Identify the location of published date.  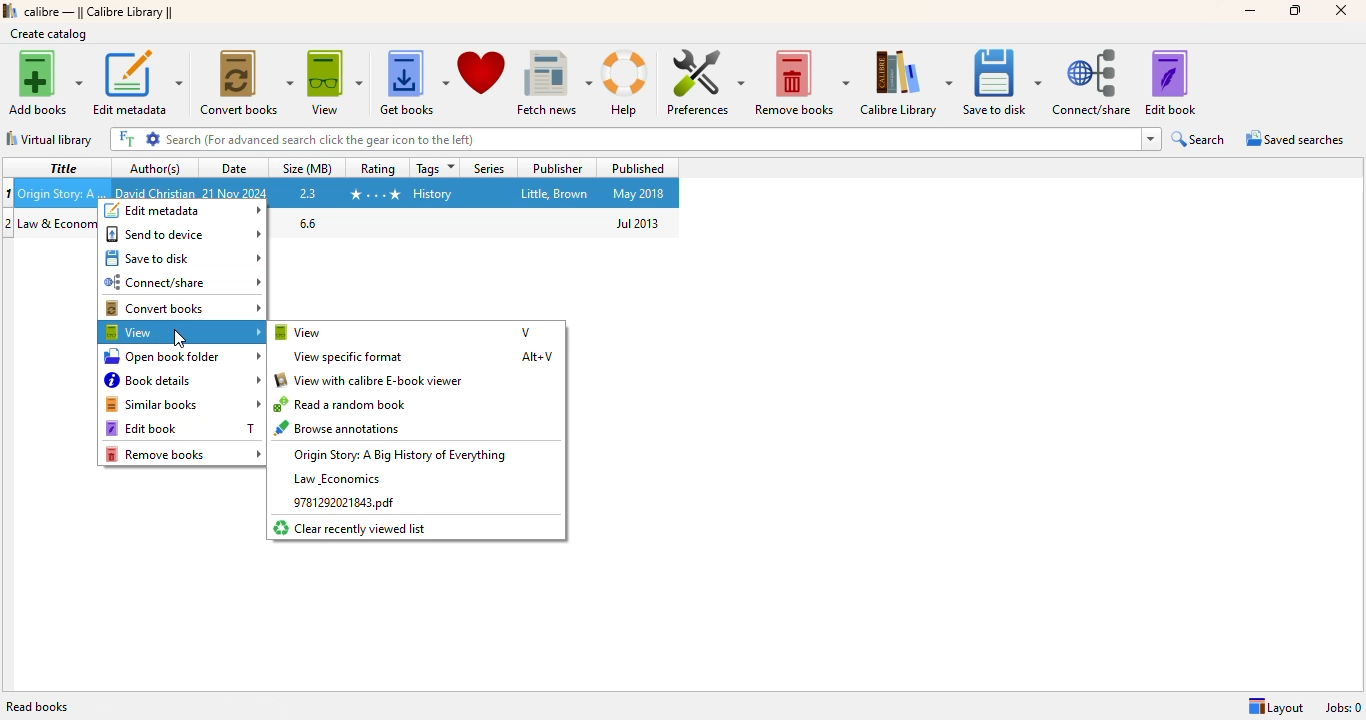
(639, 223).